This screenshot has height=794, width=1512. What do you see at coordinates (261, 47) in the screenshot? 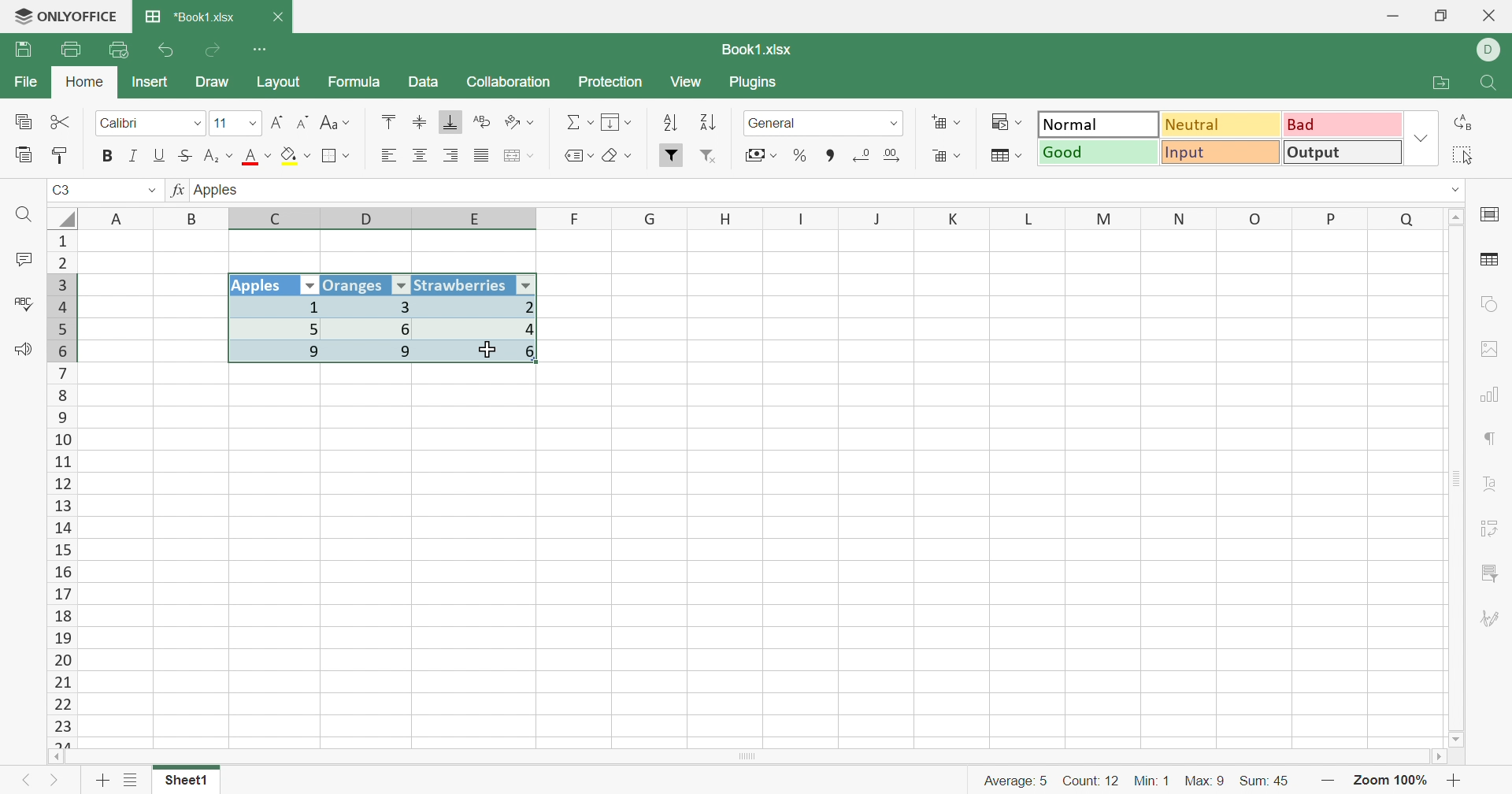
I see `Customize quick access toolbar` at bounding box center [261, 47].